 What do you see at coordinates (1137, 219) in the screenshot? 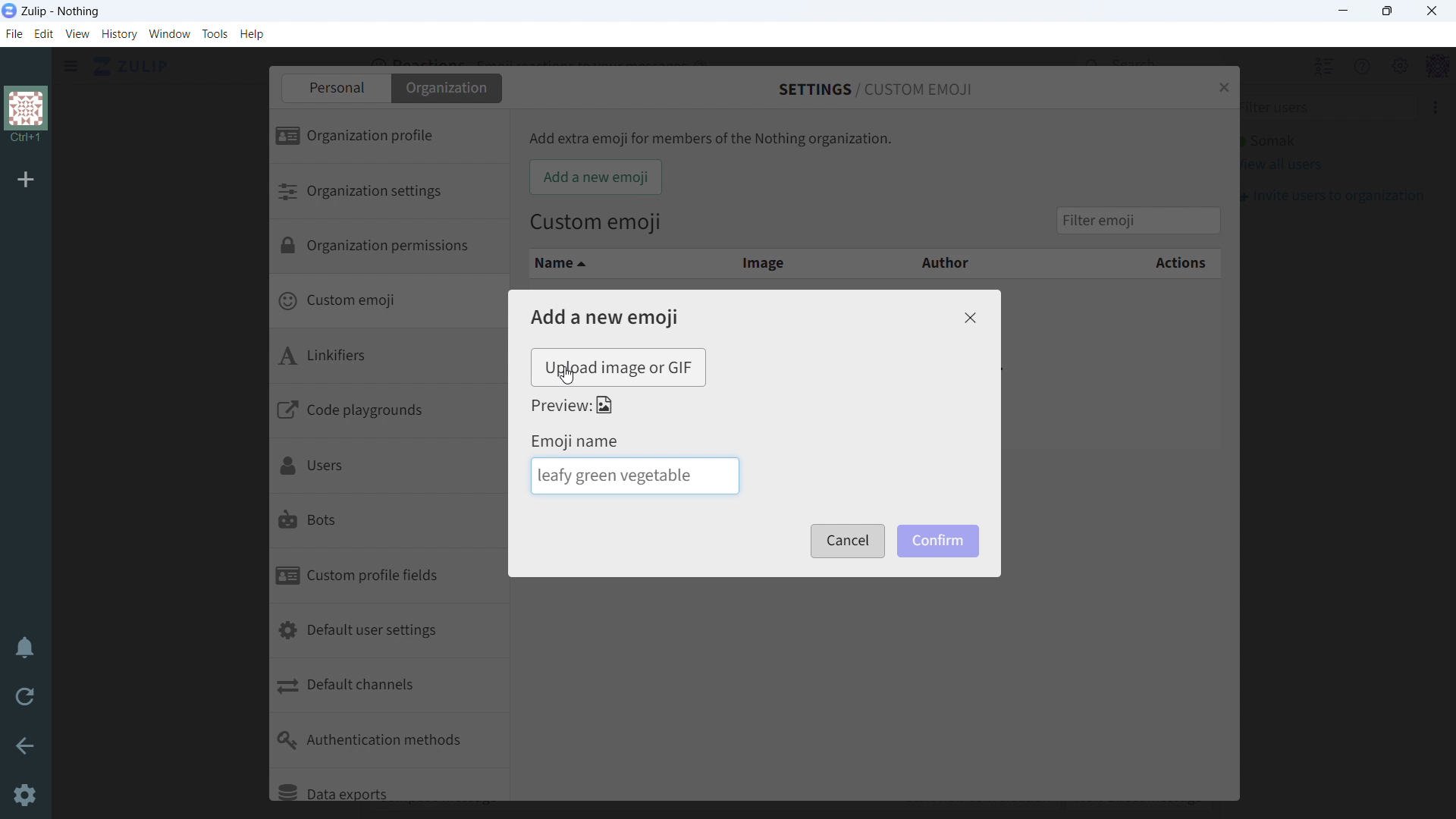
I see `filter emoji` at bounding box center [1137, 219].